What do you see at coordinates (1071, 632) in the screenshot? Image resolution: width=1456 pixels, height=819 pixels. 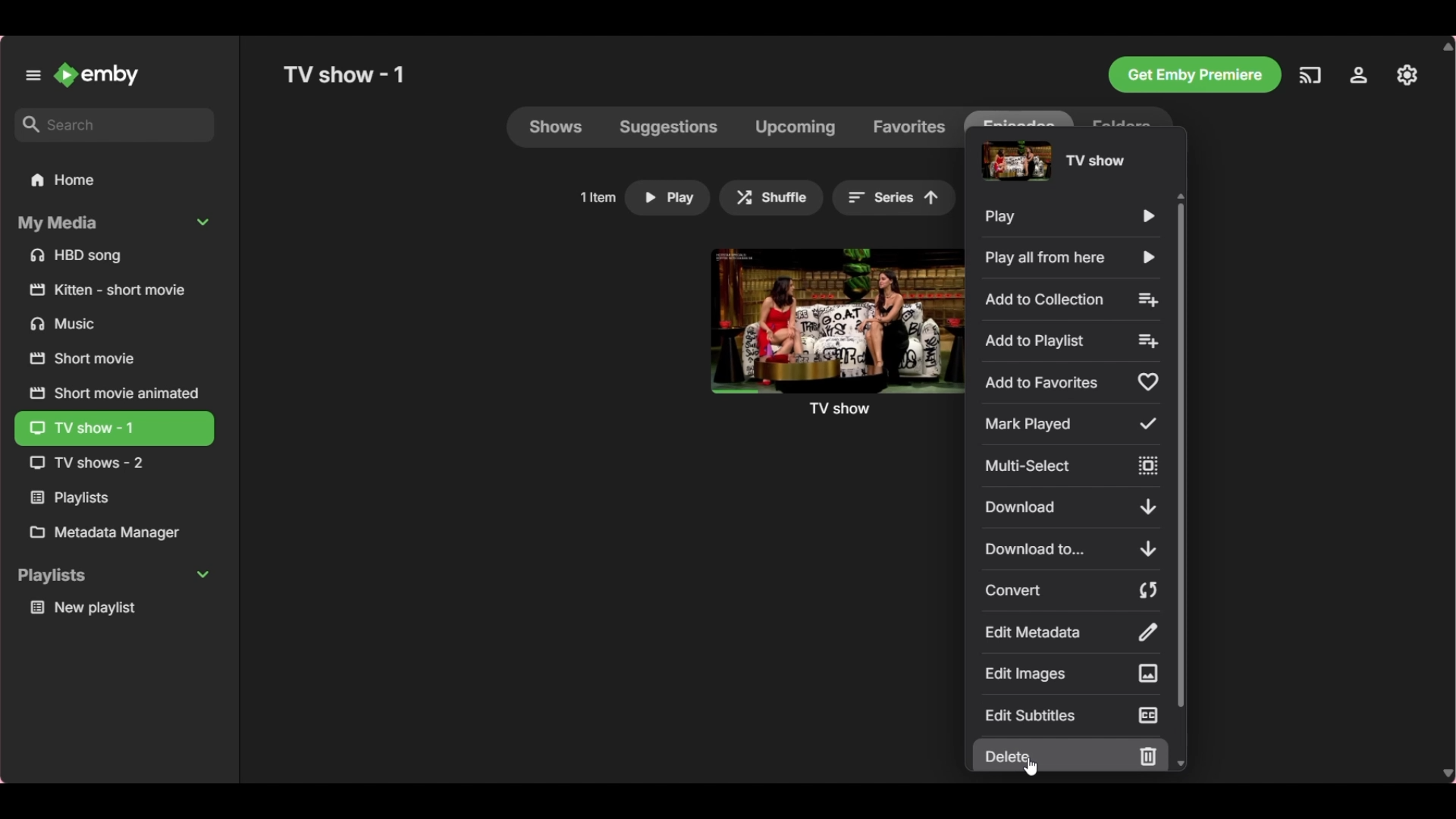 I see `Edit metadata` at bounding box center [1071, 632].